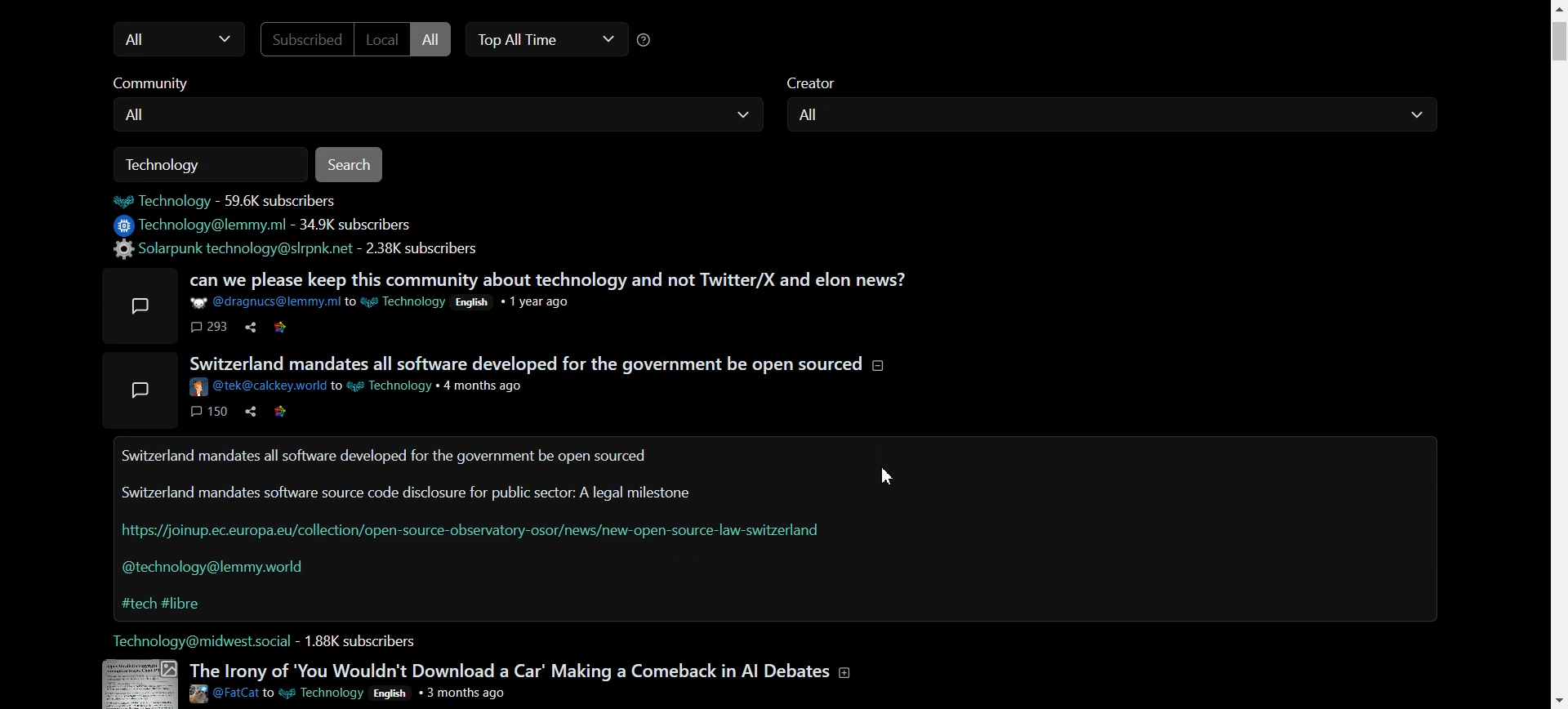  What do you see at coordinates (408, 493) in the screenshot?
I see `Switzerland mandates software source code disclosure for public sector: A legal milestone` at bounding box center [408, 493].